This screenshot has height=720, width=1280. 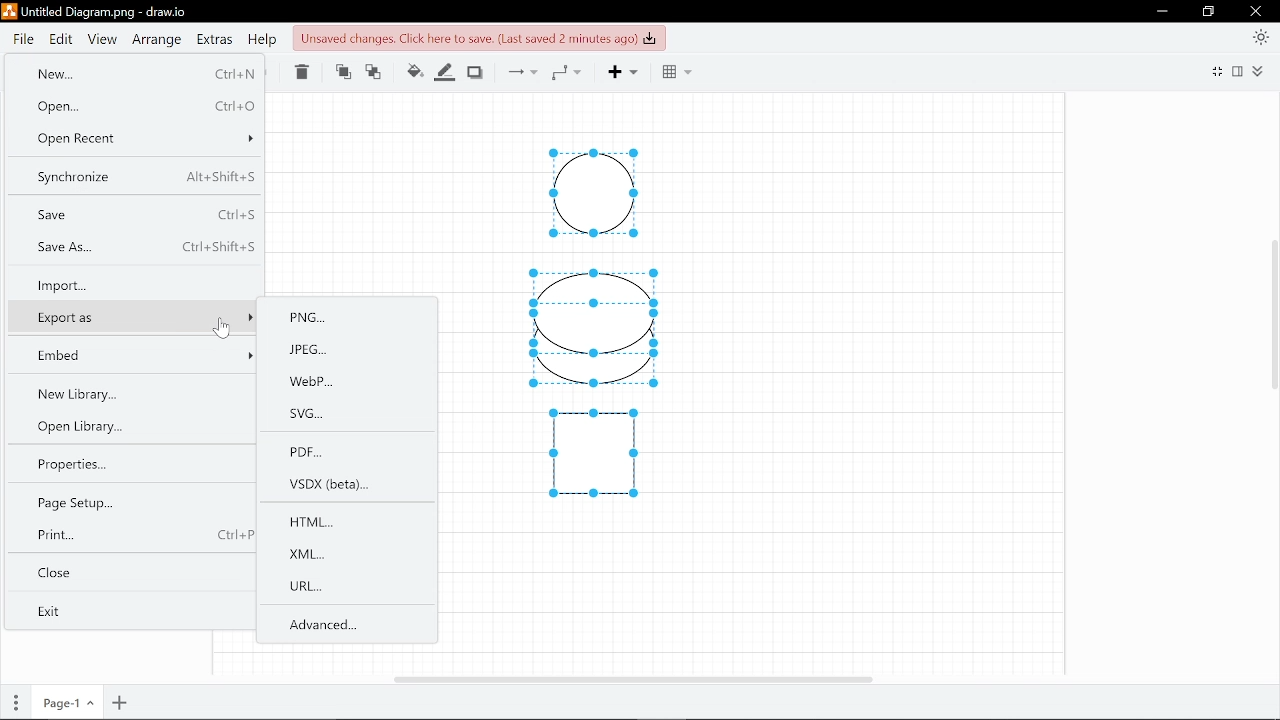 I want to click on Connections, so click(x=518, y=71).